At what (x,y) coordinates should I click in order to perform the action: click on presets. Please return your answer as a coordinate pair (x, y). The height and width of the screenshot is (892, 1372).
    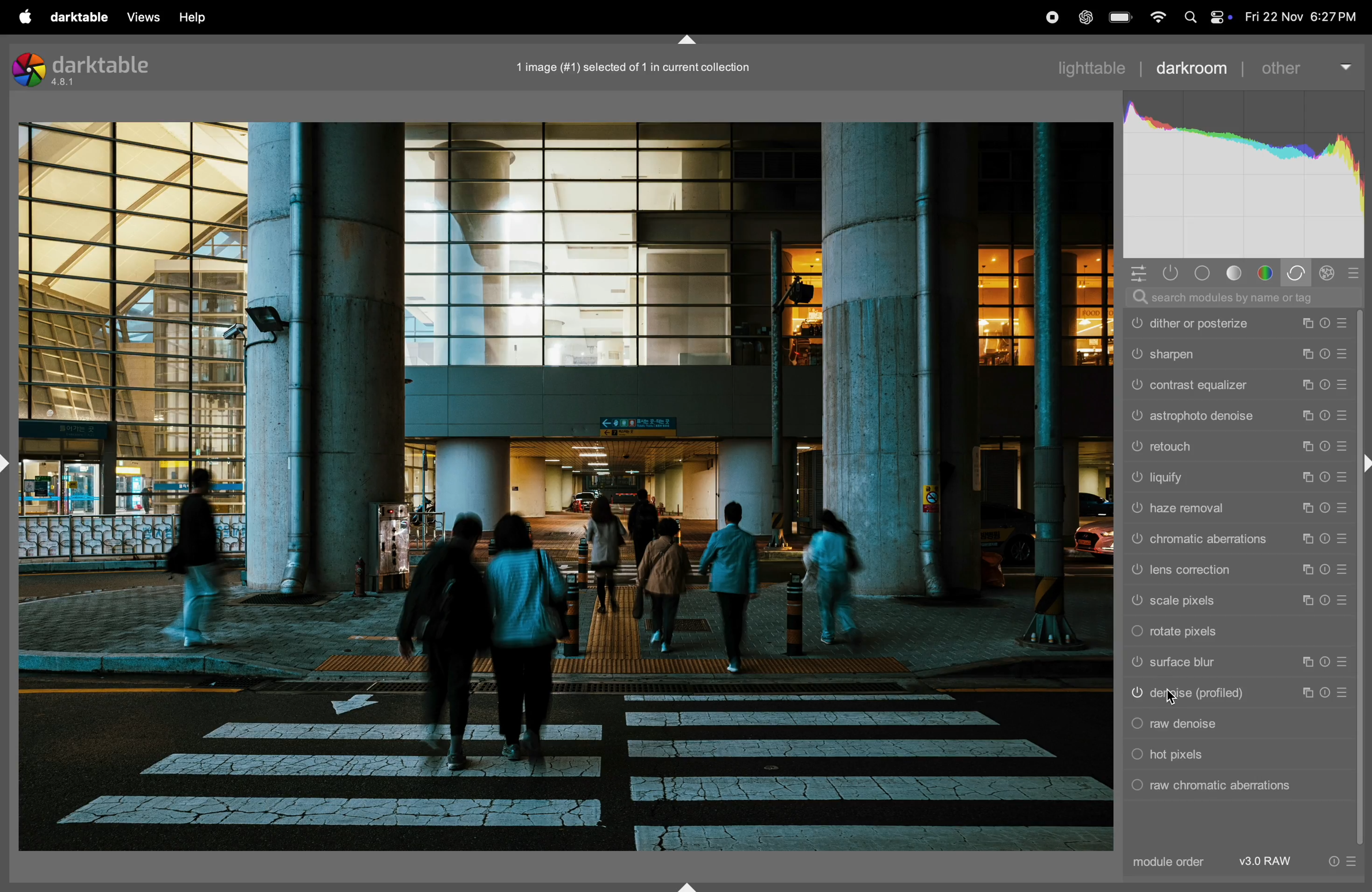
    Looking at the image, I should click on (1356, 861).